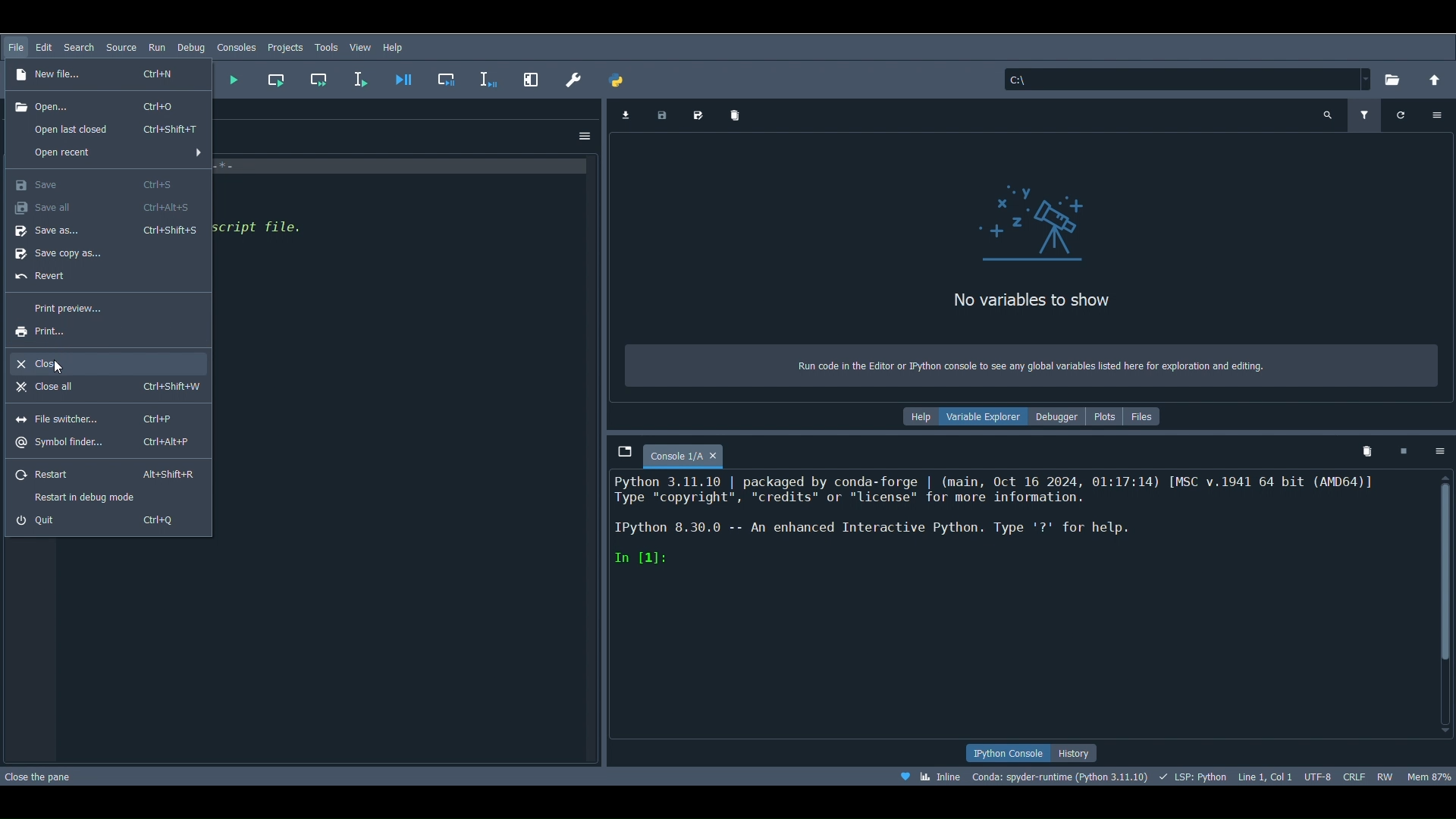 This screenshot has width=1456, height=819. Describe the element at coordinates (661, 113) in the screenshot. I see `Save data` at that location.